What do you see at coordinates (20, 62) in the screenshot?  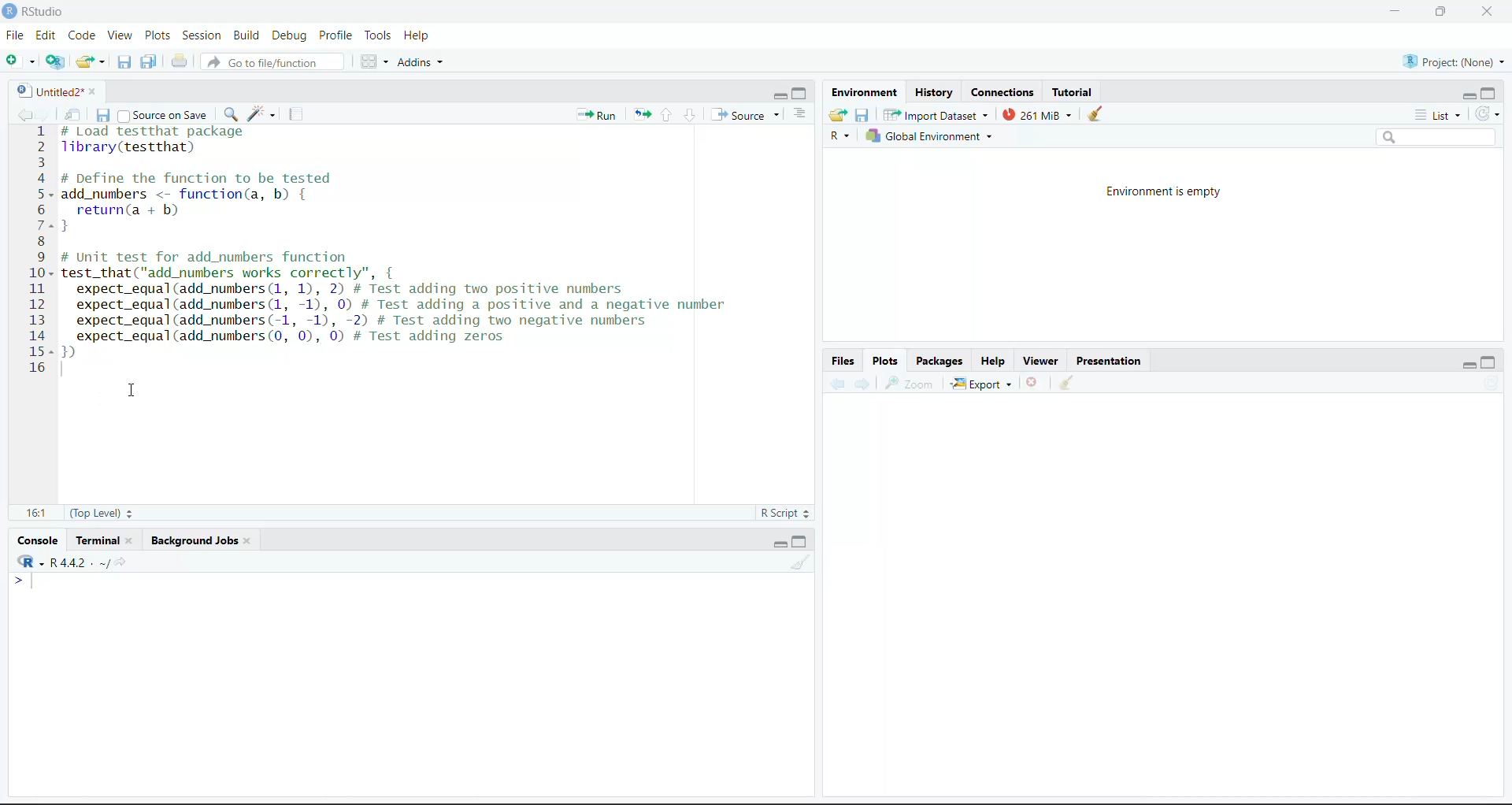 I see `New file` at bounding box center [20, 62].